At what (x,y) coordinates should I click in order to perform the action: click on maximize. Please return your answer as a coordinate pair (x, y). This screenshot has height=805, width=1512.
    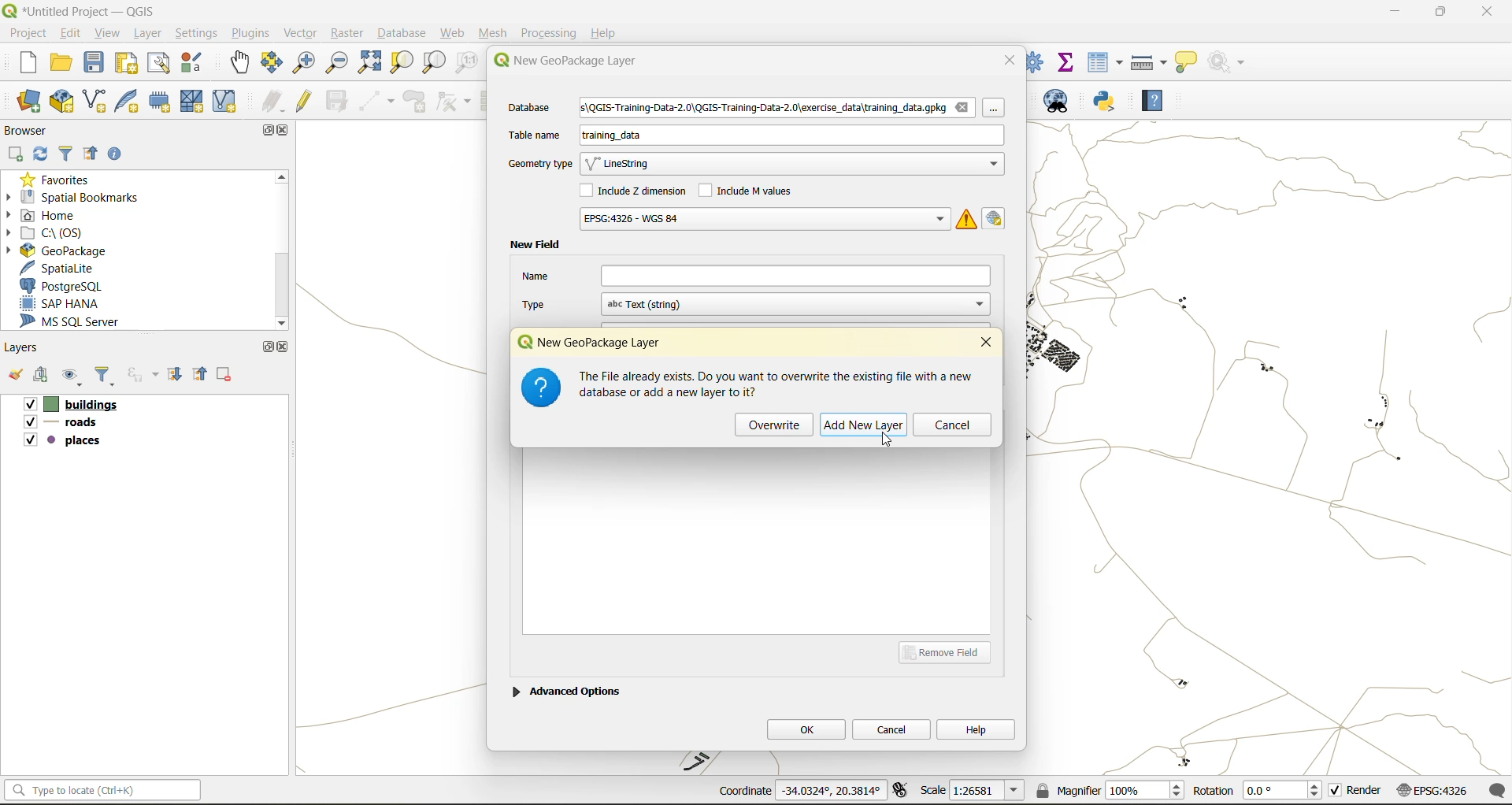
    Looking at the image, I should click on (267, 347).